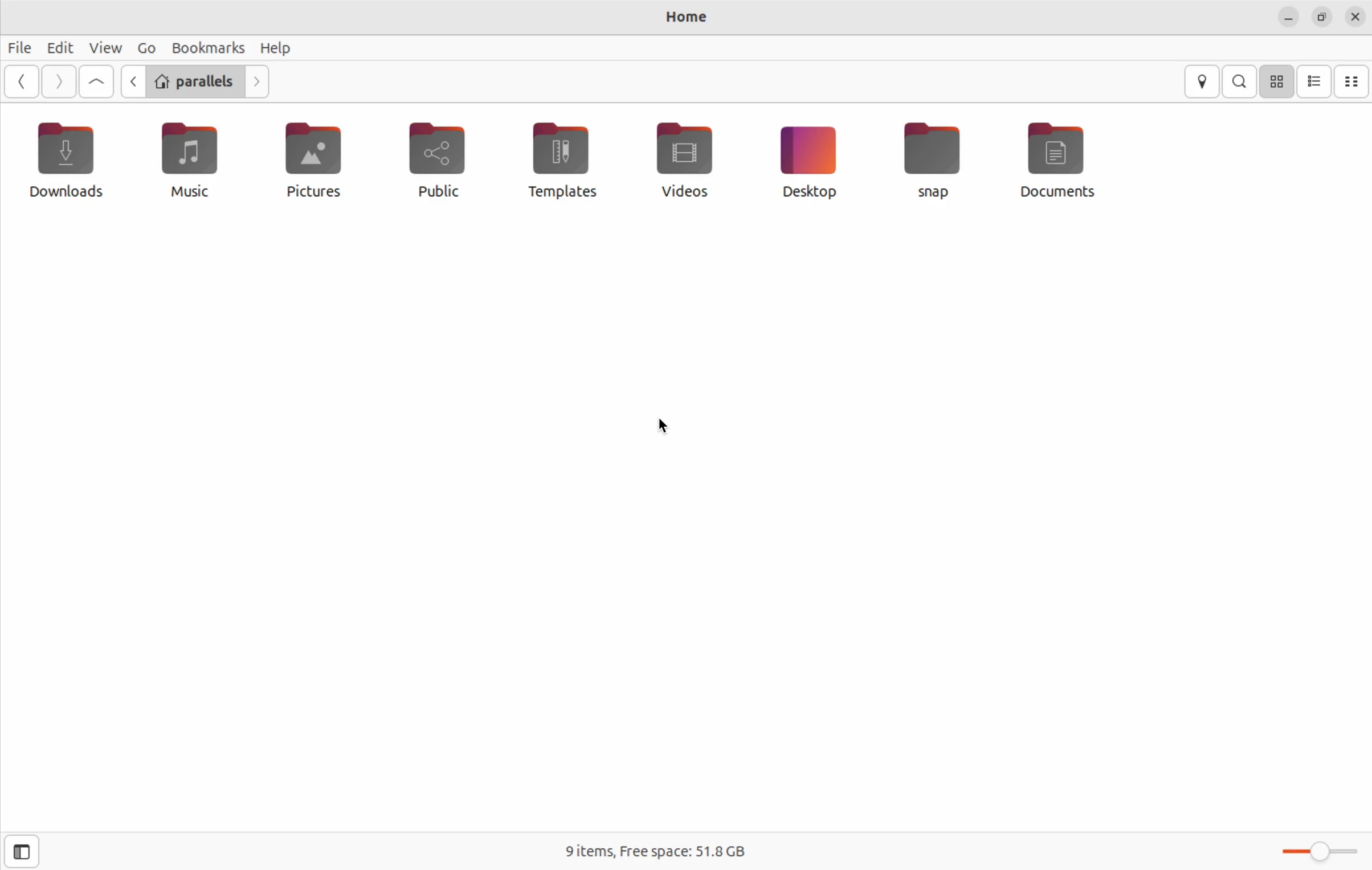 This screenshot has width=1372, height=870. I want to click on go previous, so click(22, 82).